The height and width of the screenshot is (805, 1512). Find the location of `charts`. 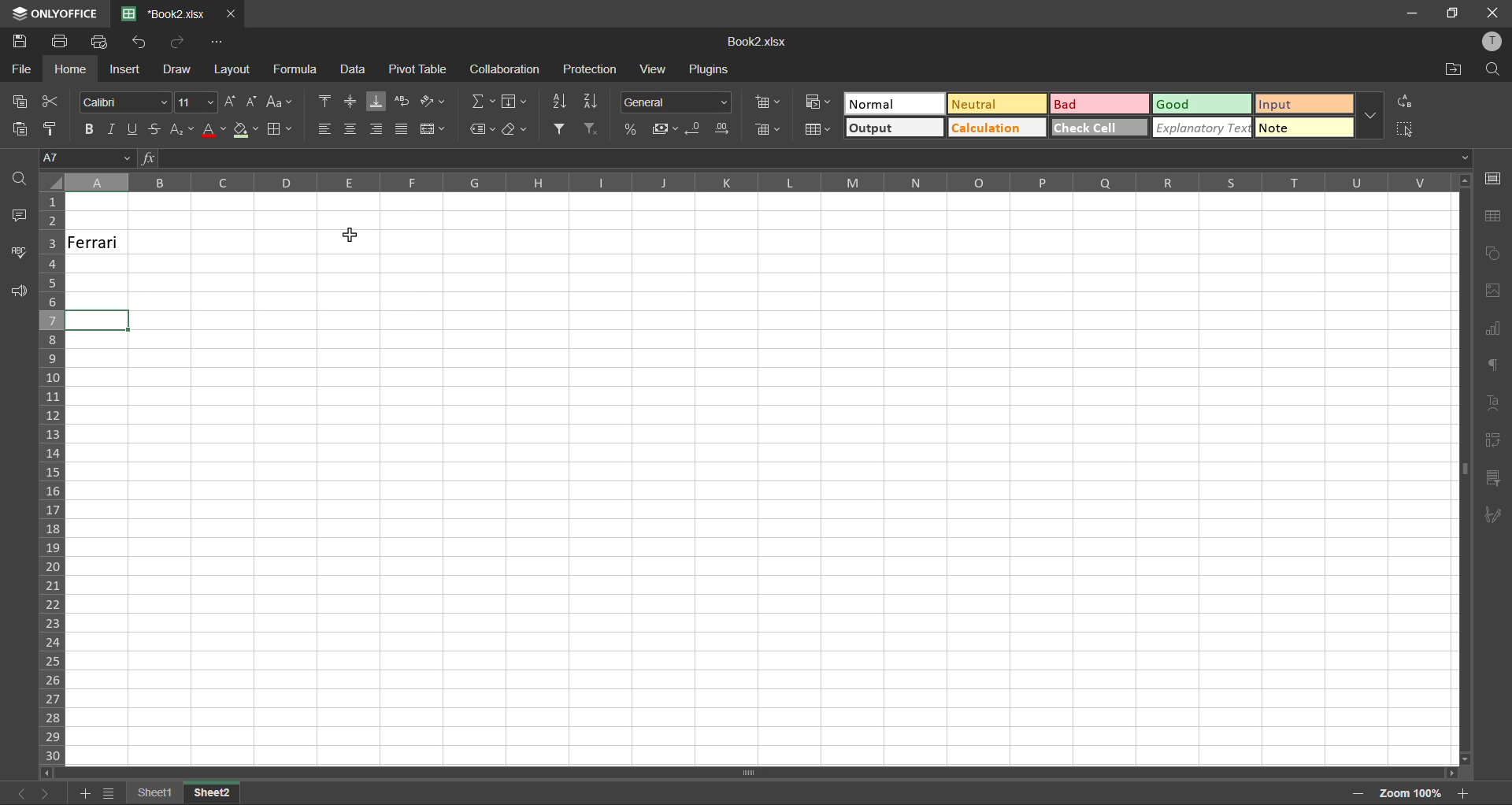

charts is located at coordinates (1493, 331).